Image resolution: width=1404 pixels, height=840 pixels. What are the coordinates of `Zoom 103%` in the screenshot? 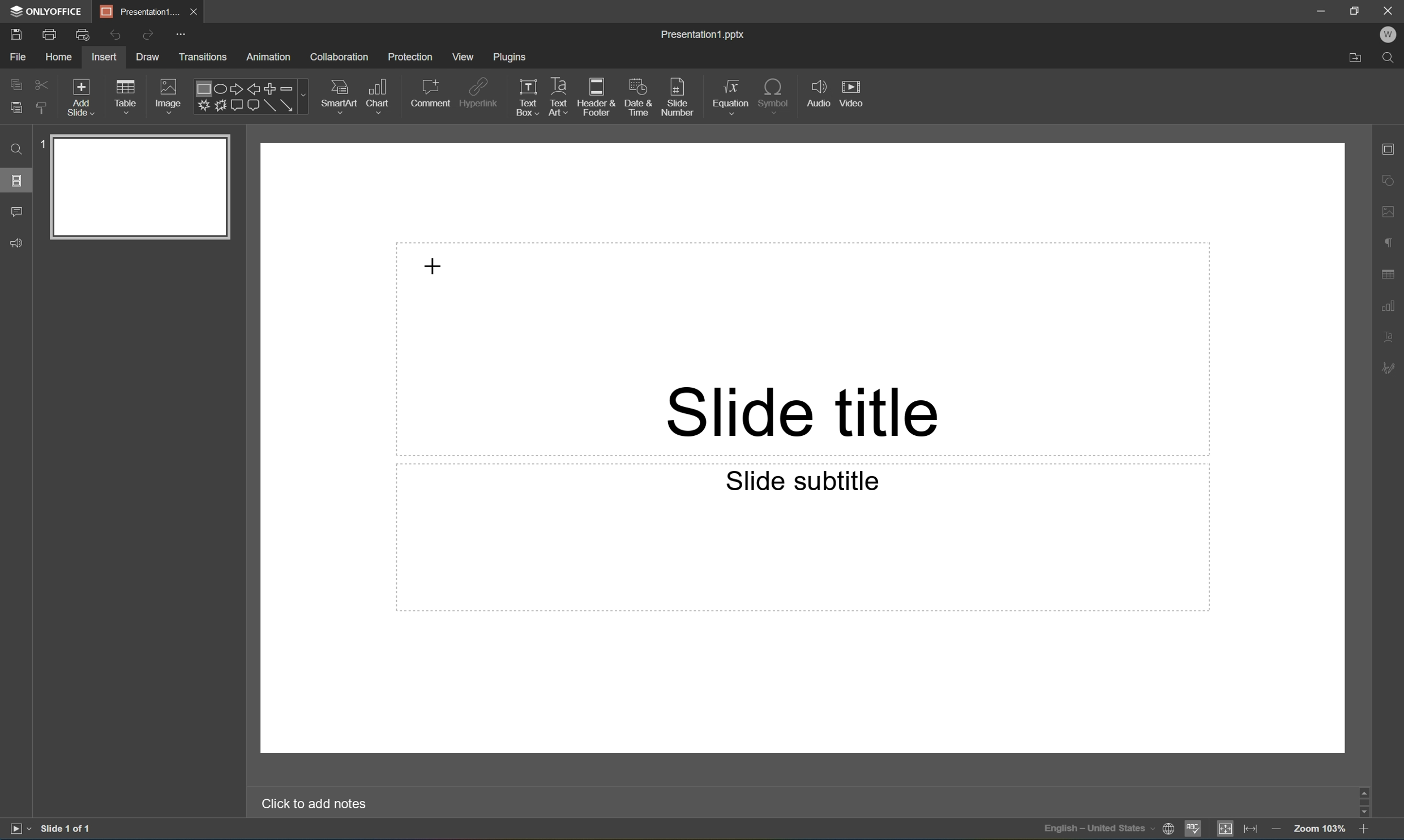 It's located at (1319, 828).